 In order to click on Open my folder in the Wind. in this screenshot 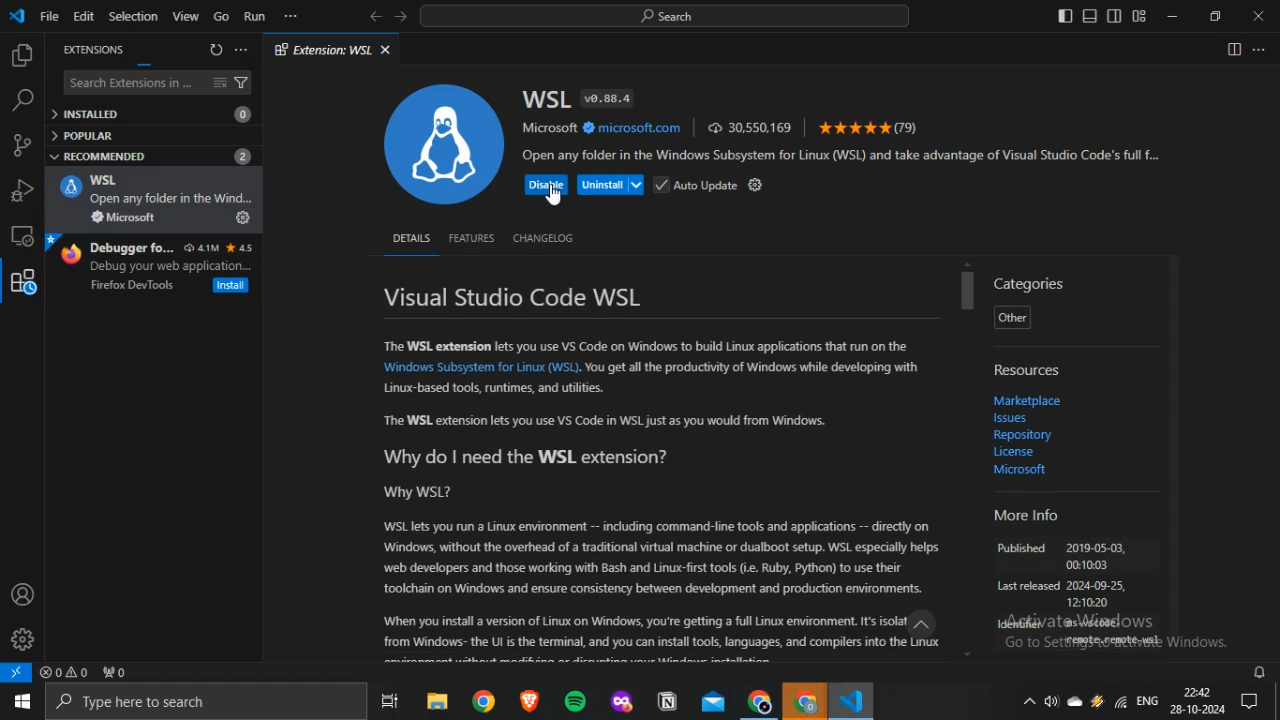, I will do `click(173, 199)`.